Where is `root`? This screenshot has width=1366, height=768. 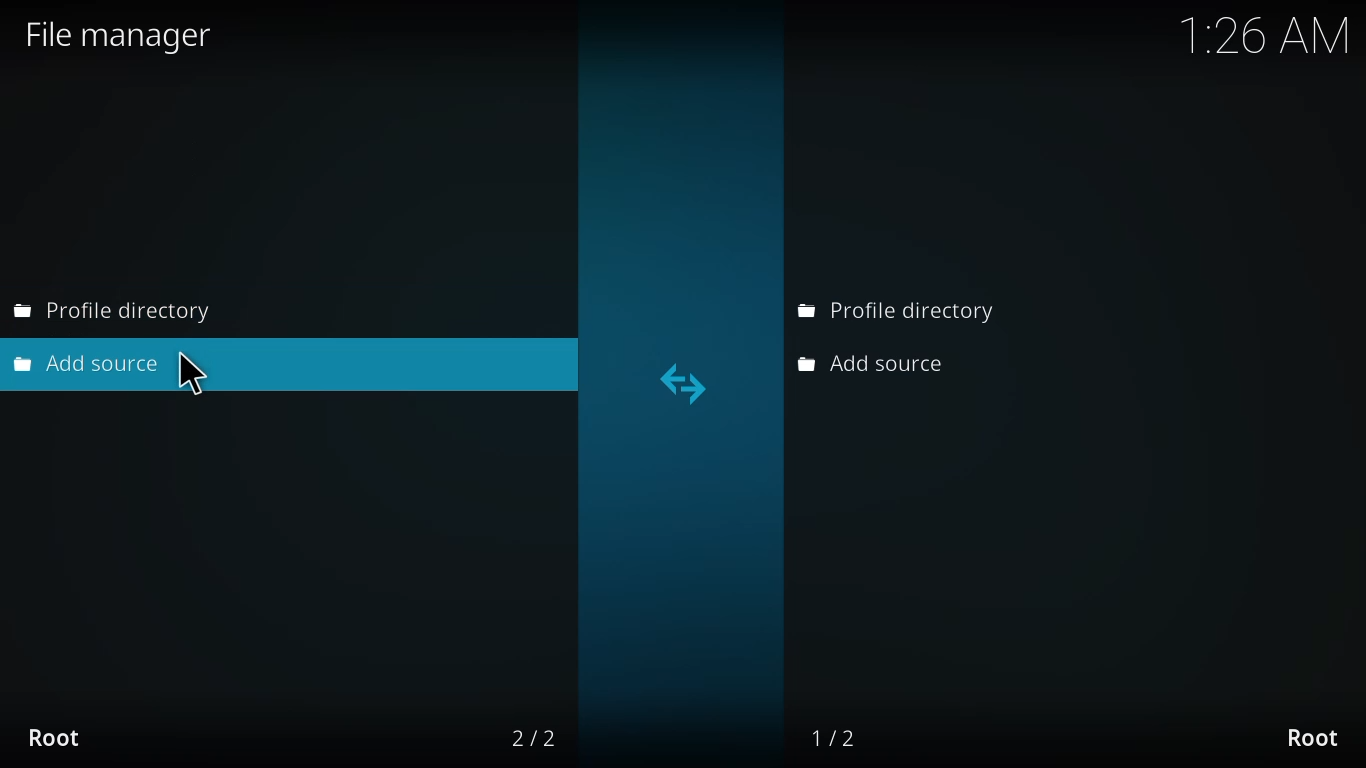 root is located at coordinates (1313, 738).